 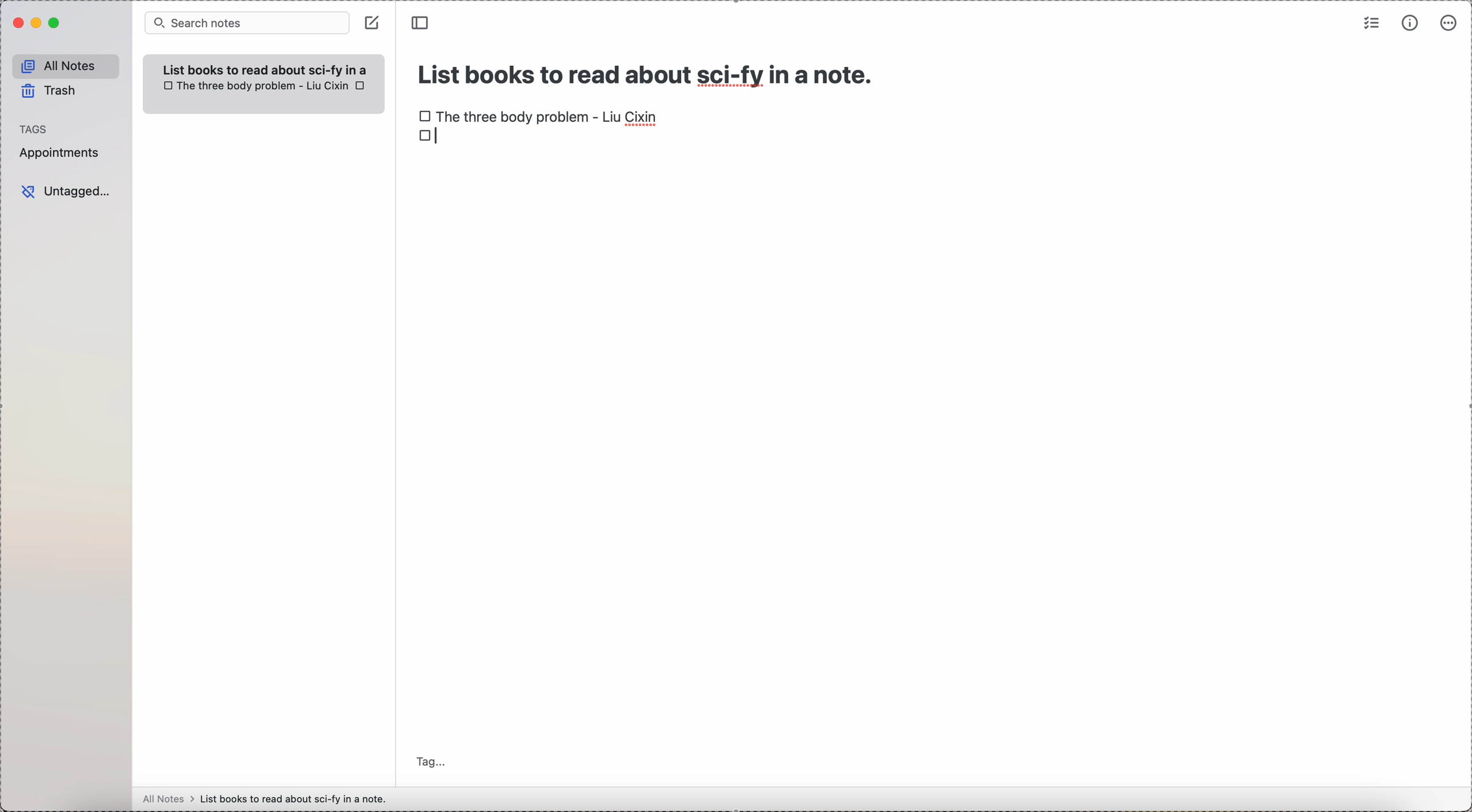 I want to click on tags, so click(x=35, y=127).